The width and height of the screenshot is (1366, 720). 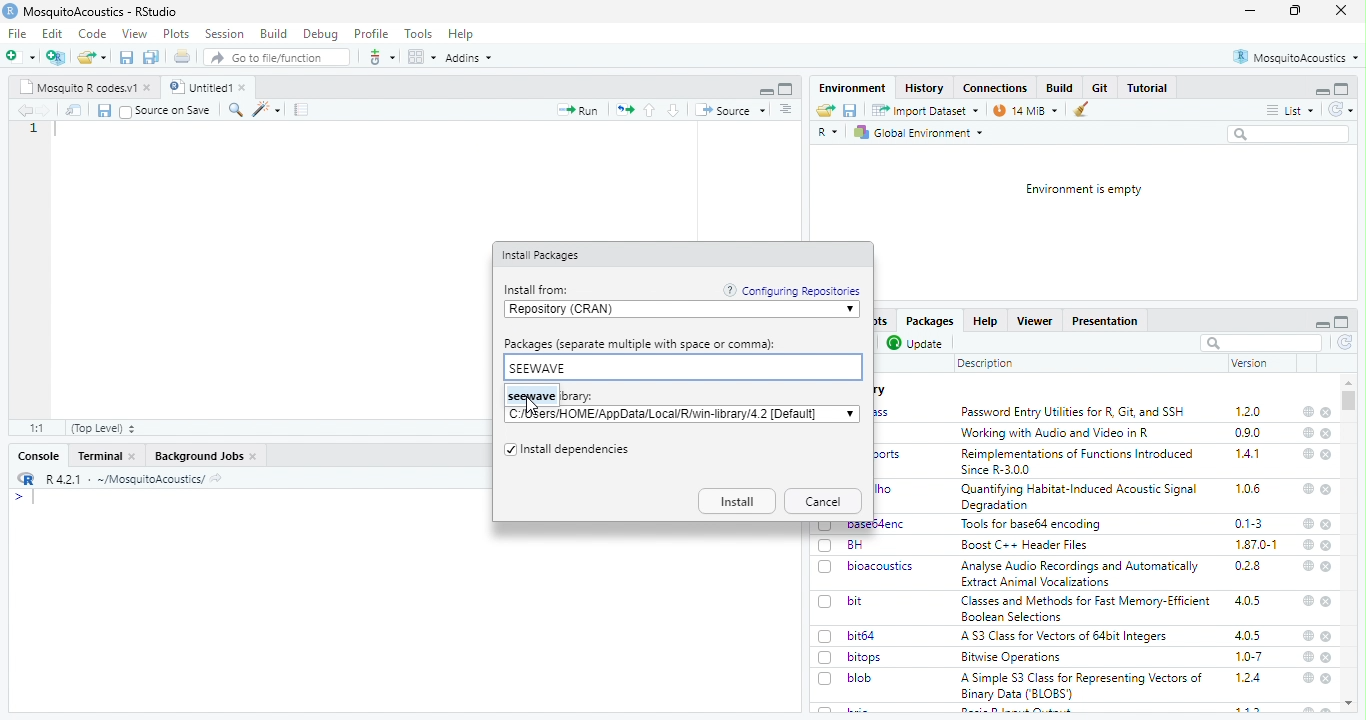 What do you see at coordinates (92, 57) in the screenshot?
I see `open folder` at bounding box center [92, 57].